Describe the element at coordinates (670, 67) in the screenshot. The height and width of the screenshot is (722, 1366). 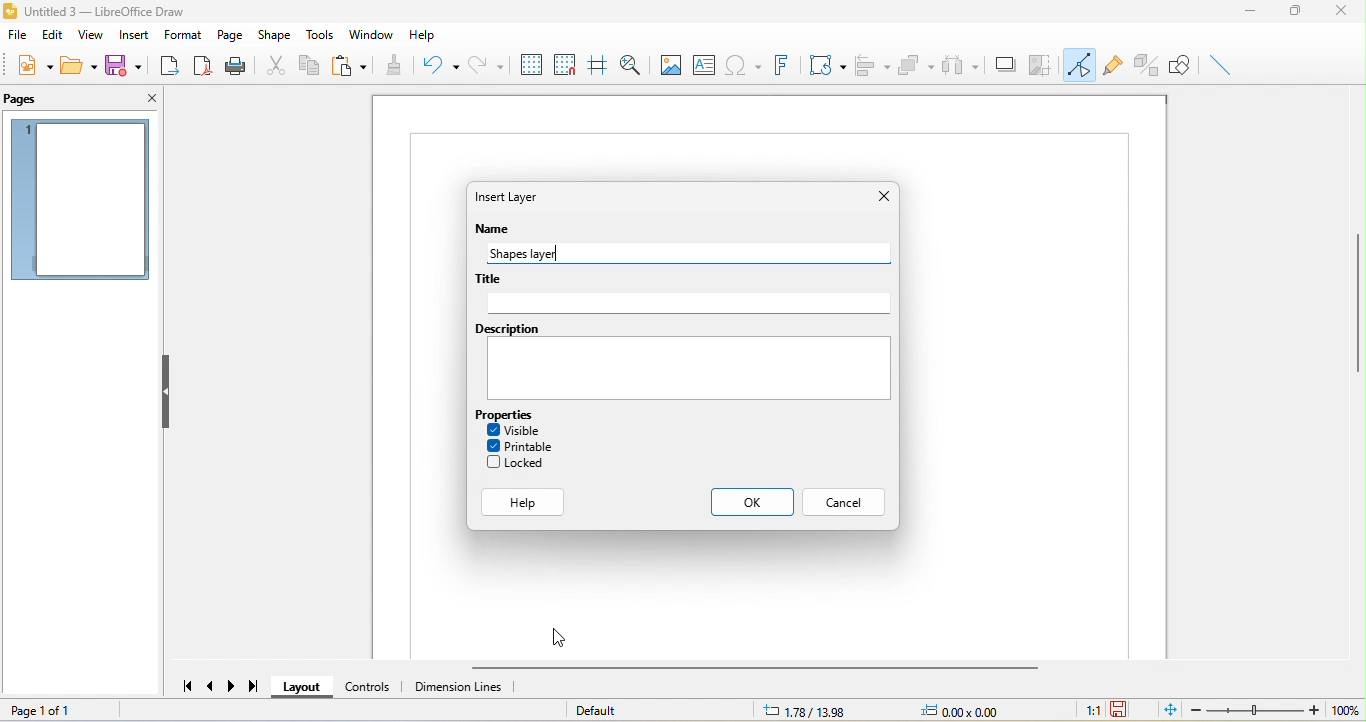
I see `image` at that location.